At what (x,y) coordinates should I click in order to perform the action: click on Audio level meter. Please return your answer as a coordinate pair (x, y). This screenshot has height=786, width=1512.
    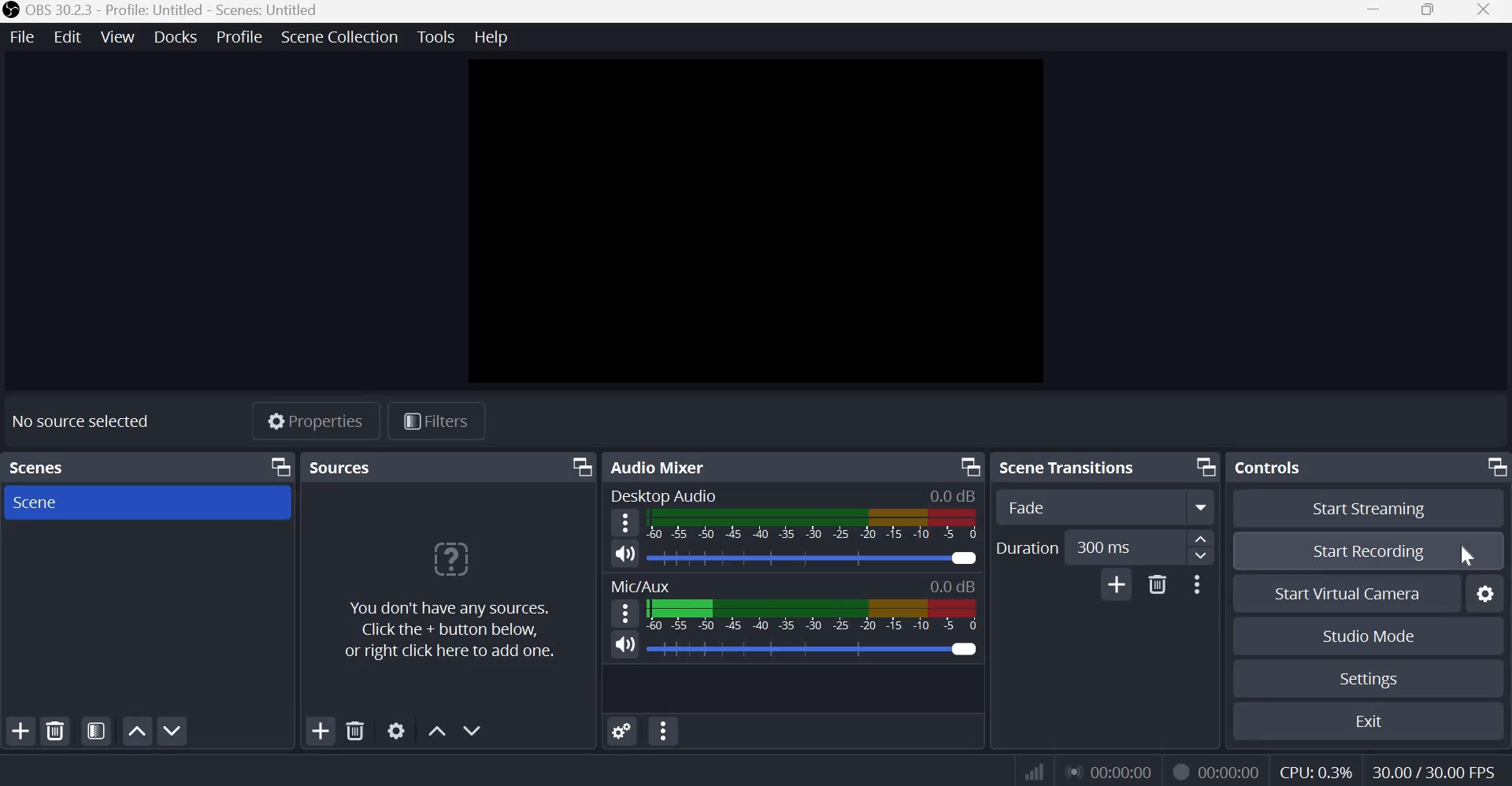
    Looking at the image, I should click on (793, 559).